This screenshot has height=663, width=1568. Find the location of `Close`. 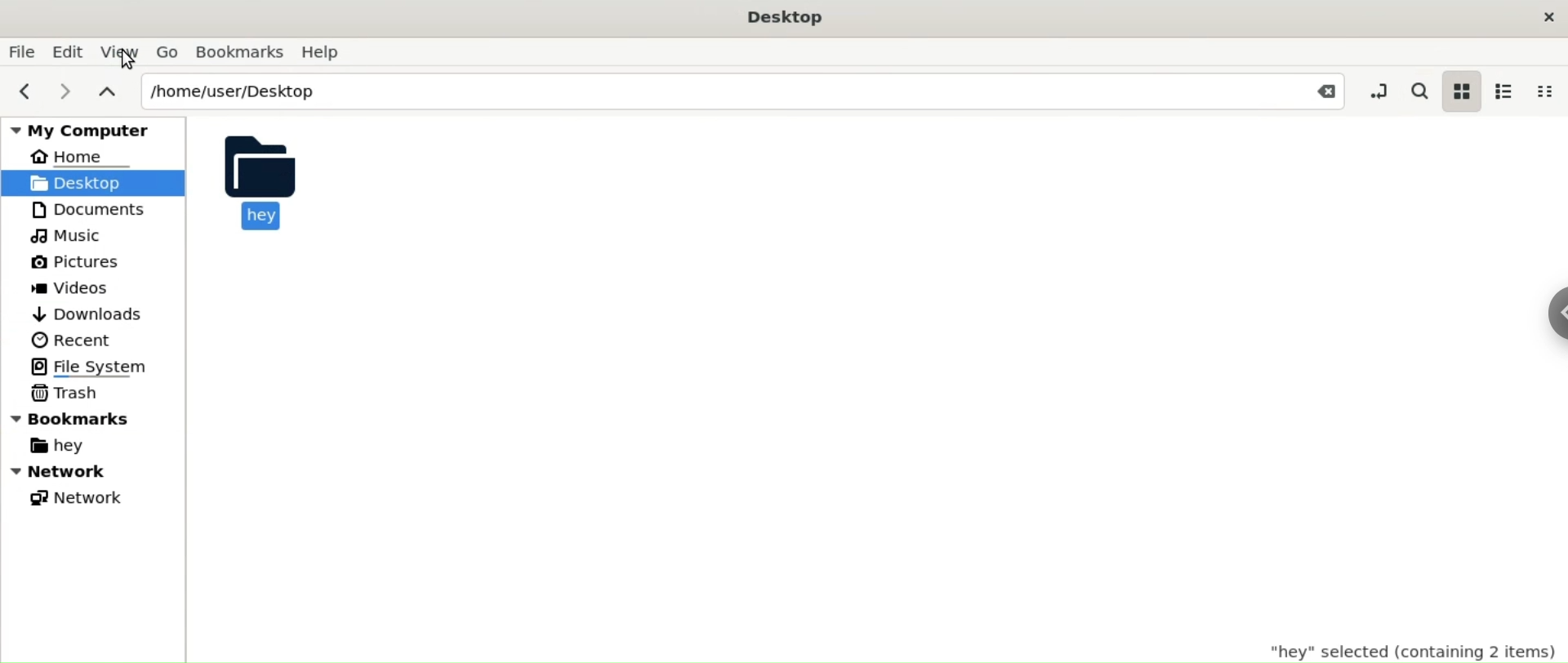

Close is located at coordinates (1317, 91).